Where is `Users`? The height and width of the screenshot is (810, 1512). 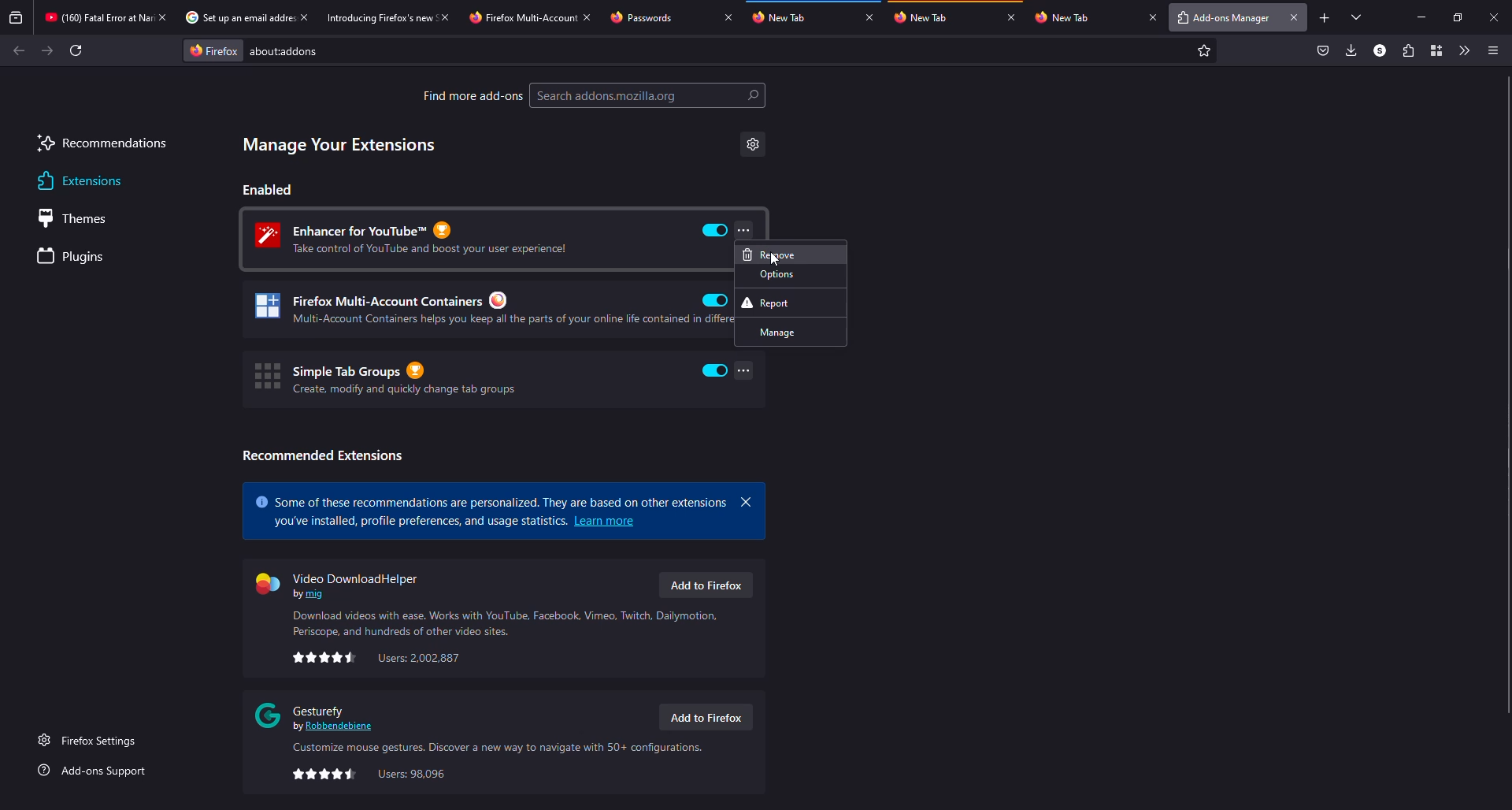
Users is located at coordinates (420, 658).